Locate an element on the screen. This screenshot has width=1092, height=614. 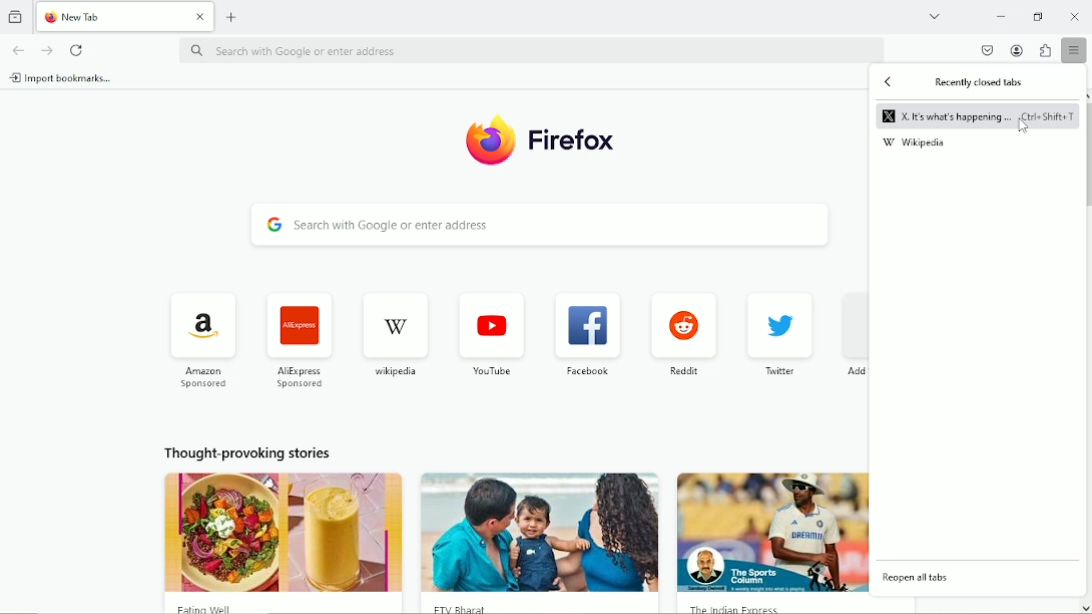
extensions is located at coordinates (1045, 51).